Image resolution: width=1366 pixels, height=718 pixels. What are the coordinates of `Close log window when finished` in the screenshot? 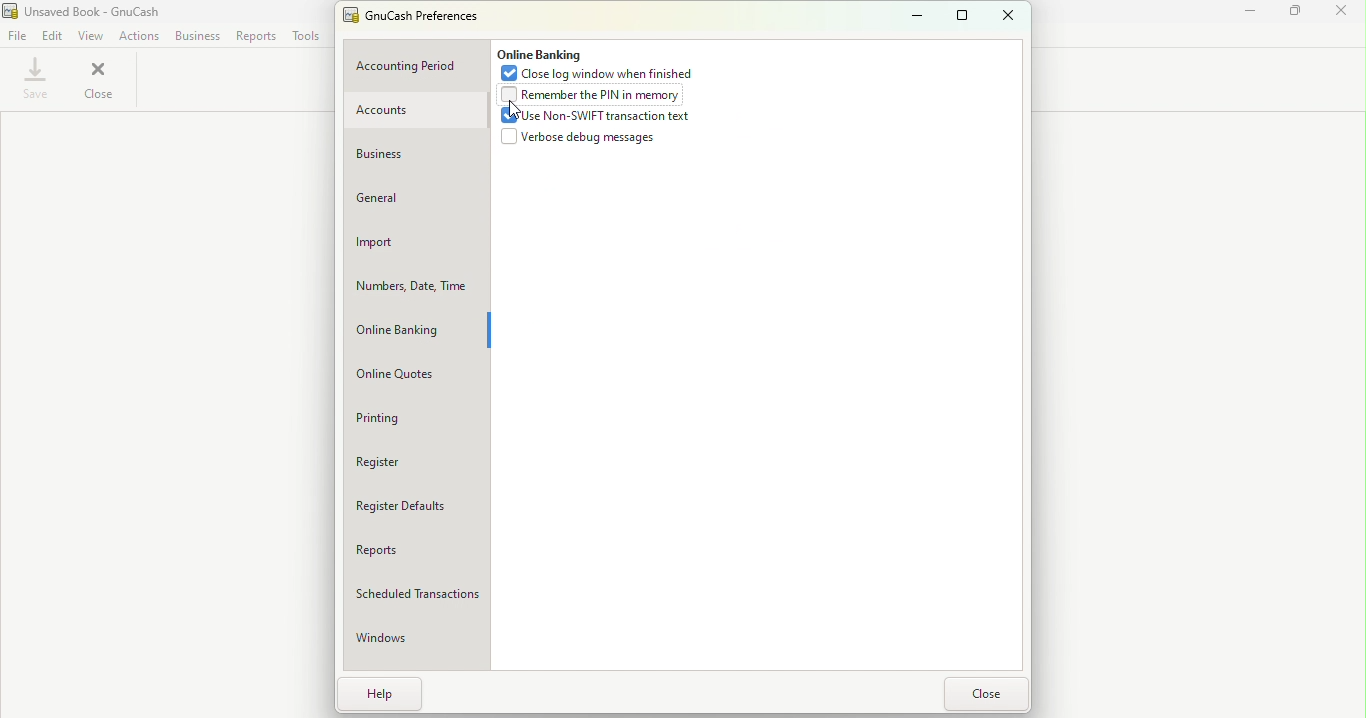 It's located at (603, 75).